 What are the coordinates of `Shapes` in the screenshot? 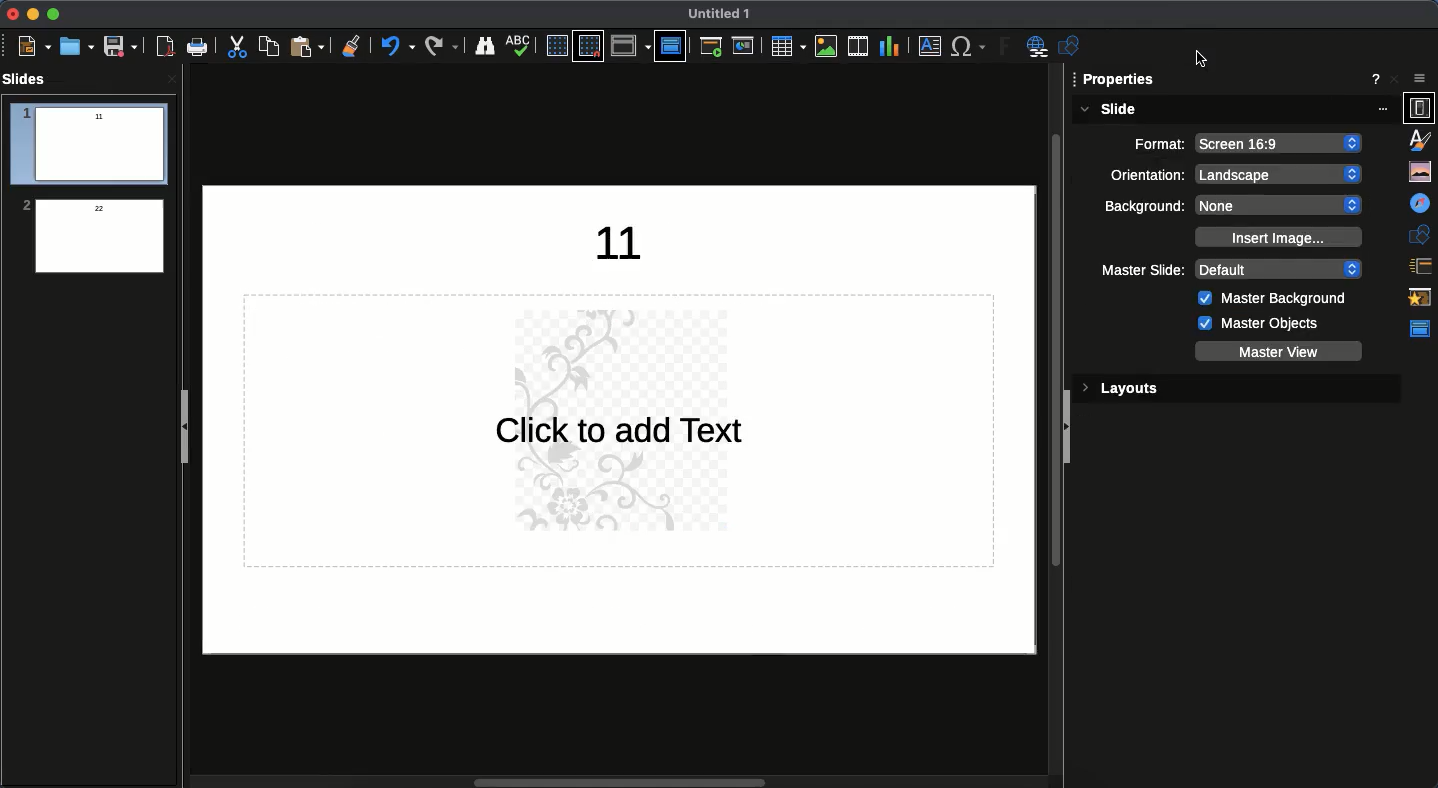 It's located at (1422, 234).